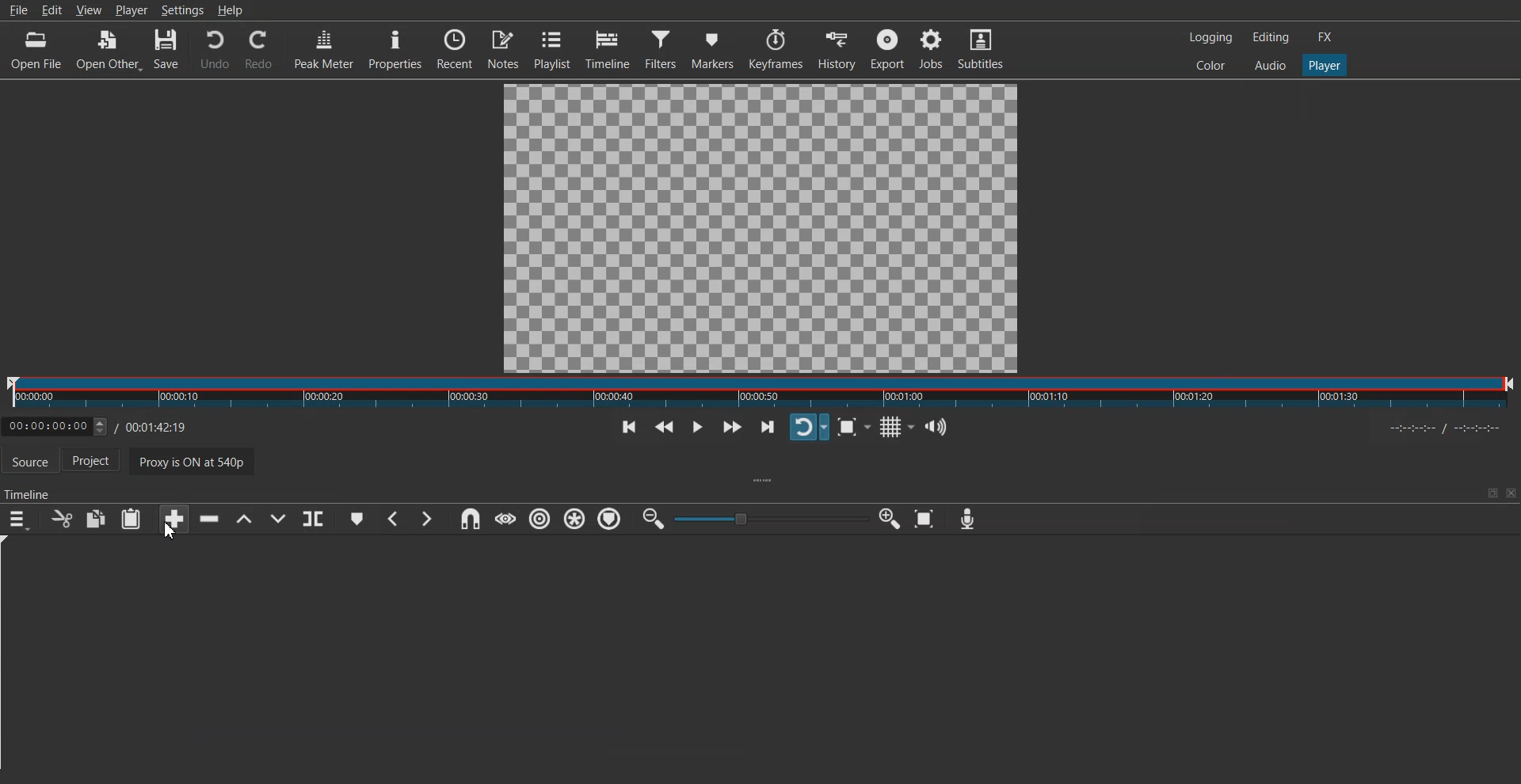  Describe the element at coordinates (611, 519) in the screenshot. I see `Ripple Tracks` at that location.